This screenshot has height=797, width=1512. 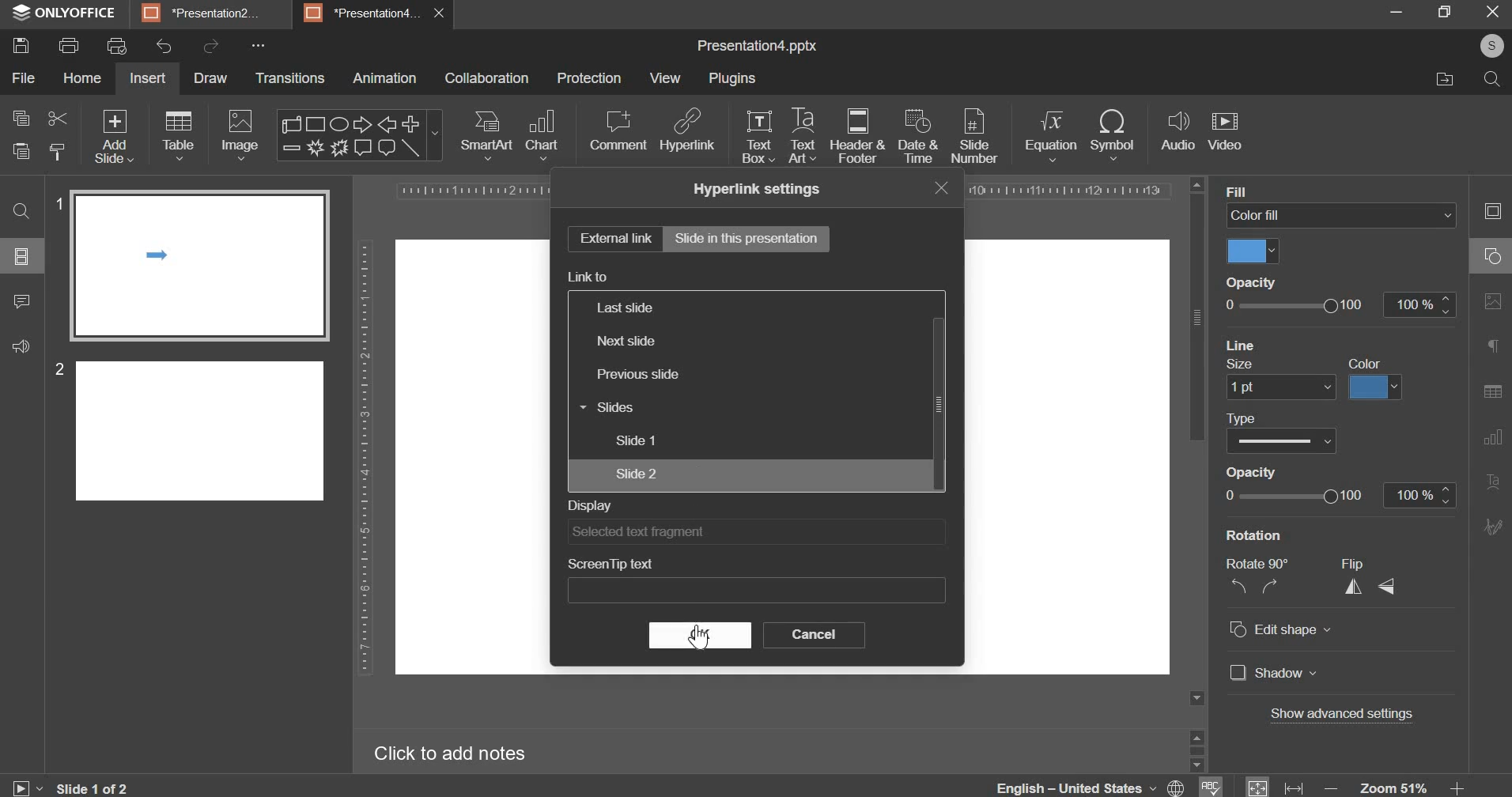 What do you see at coordinates (1270, 673) in the screenshot?
I see `] Shadow` at bounding box center [1270, 673].